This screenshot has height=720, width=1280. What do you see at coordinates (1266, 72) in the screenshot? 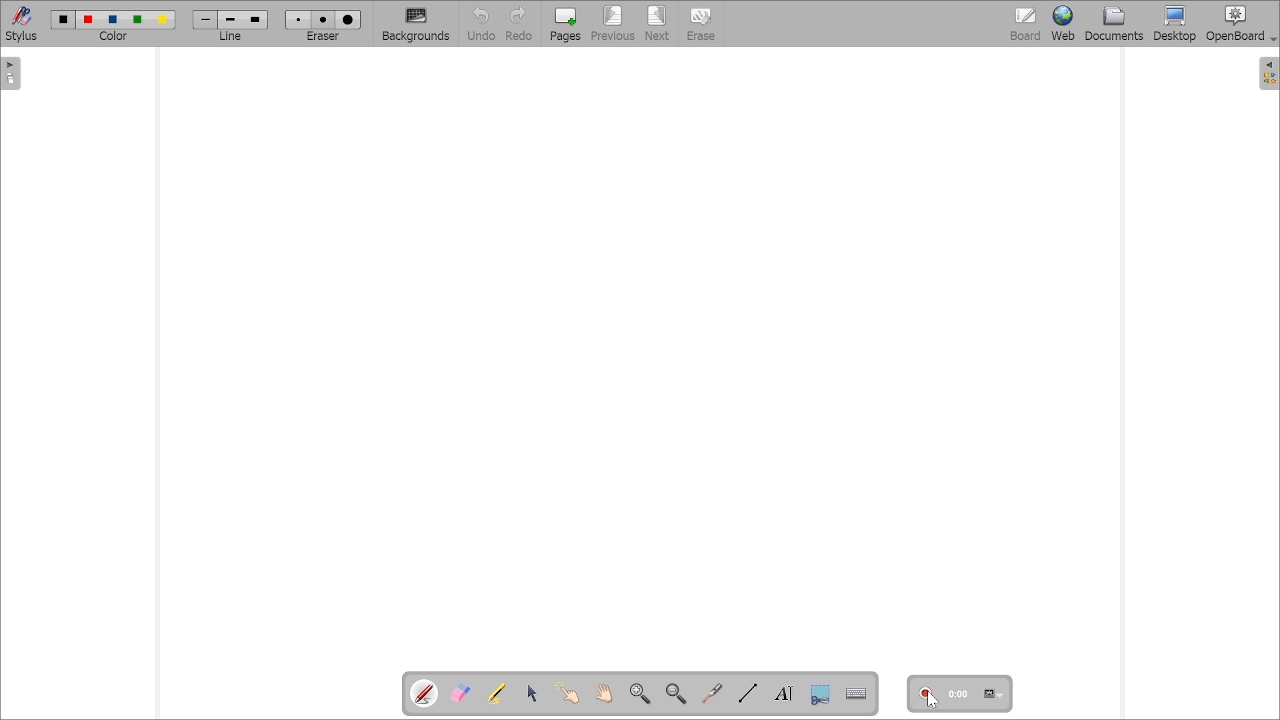
I see `show sidebar` at bounding box center [1266, 72].